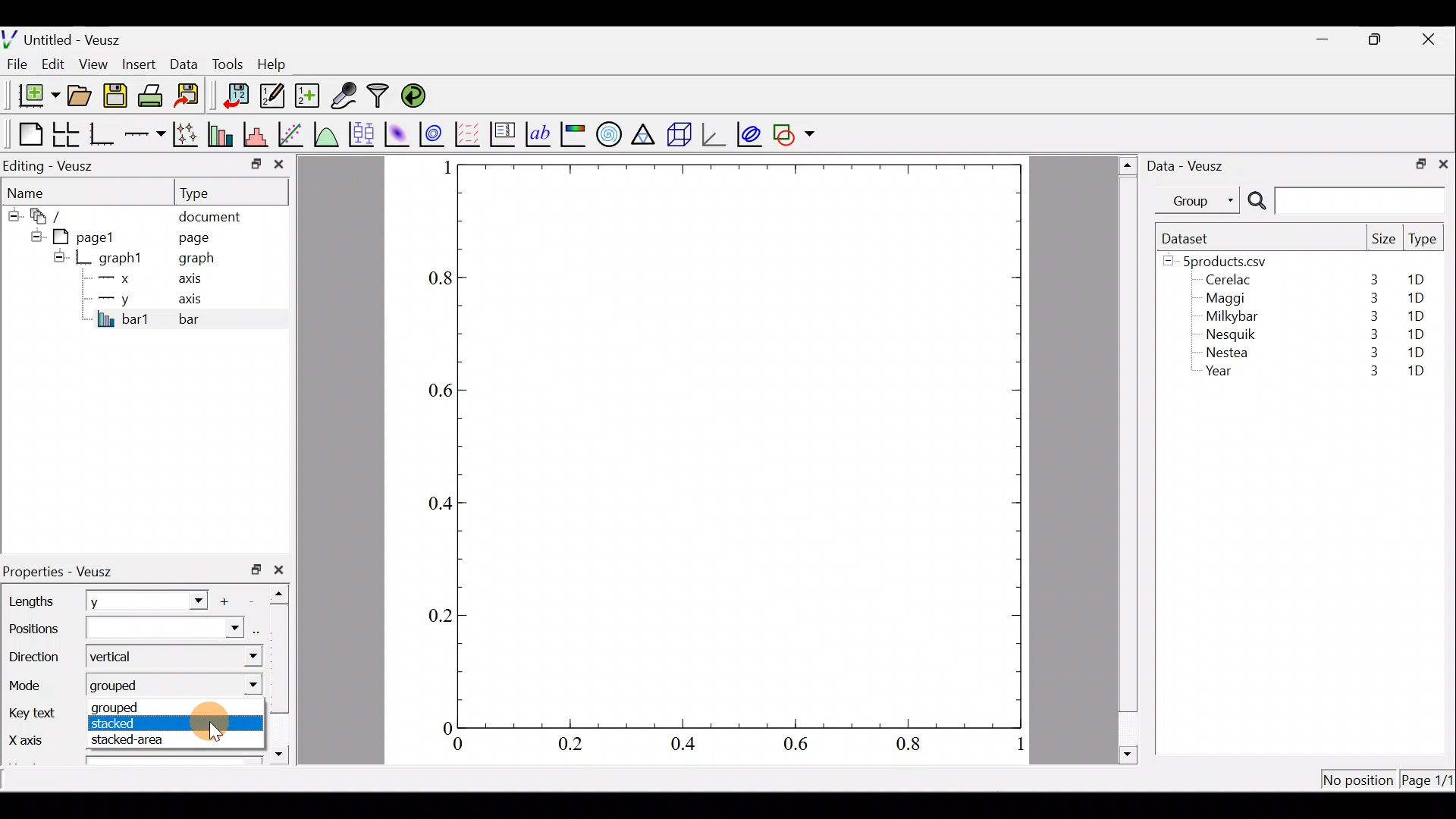 This screenshot has width=1456, height=819. I want to click on bar, so click(214, 318).